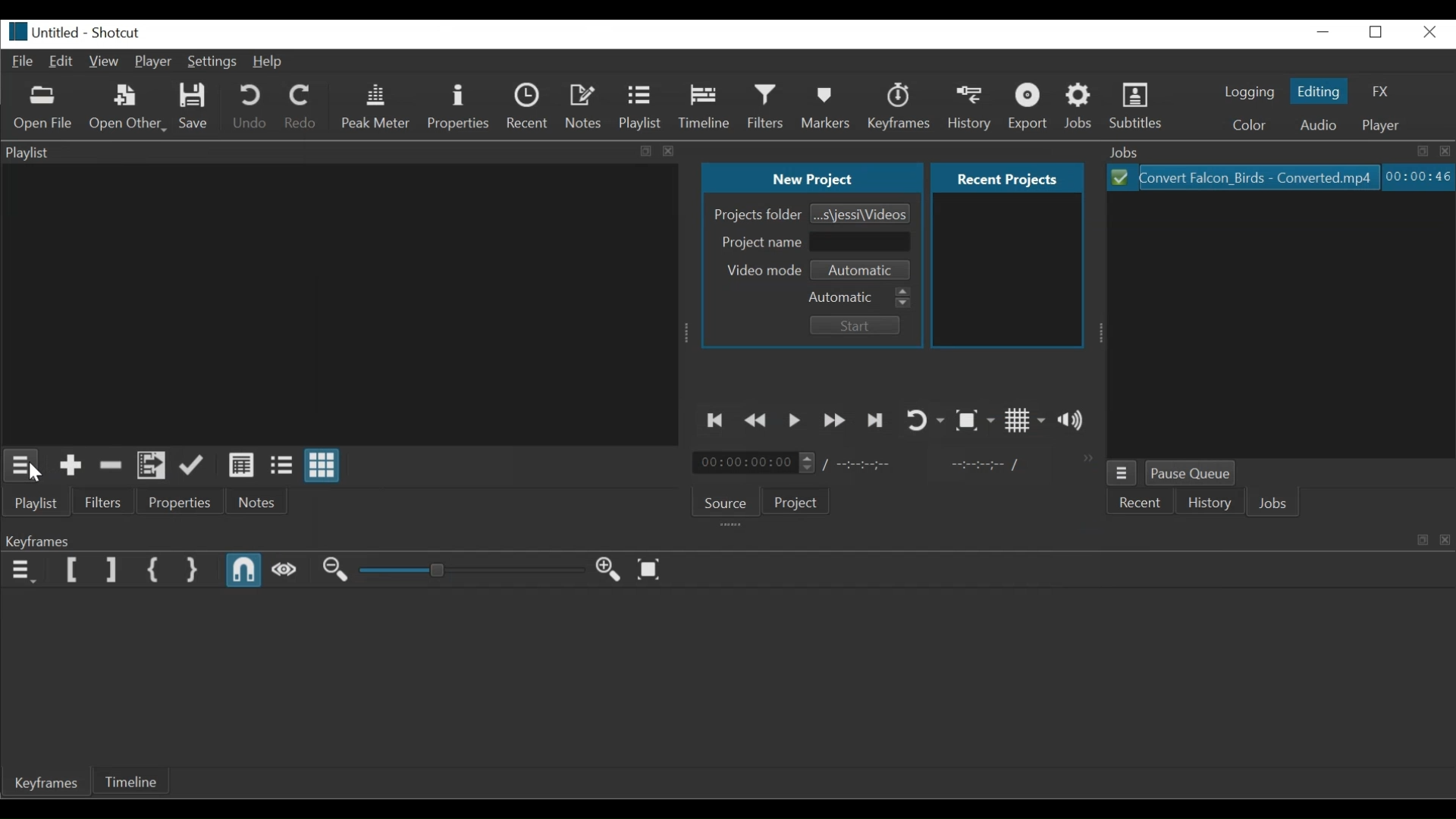 This screenshot has width=1456, height=819. Describe the element at coordinates (713, 419) in the screenshot. I see `Skip to the previous point` at that location.